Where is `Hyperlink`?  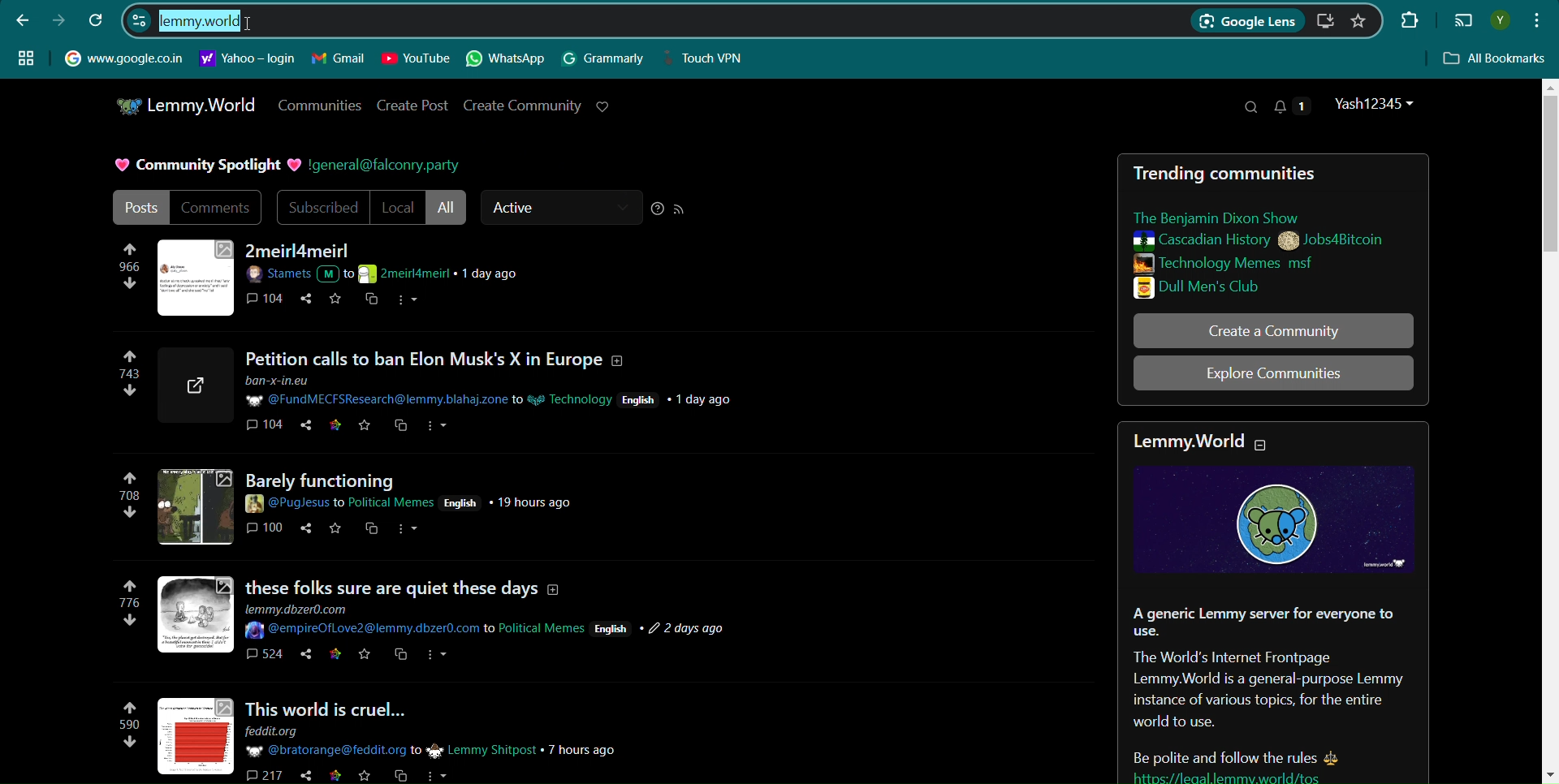 Hyperlink is located at coordinates (384, 166).